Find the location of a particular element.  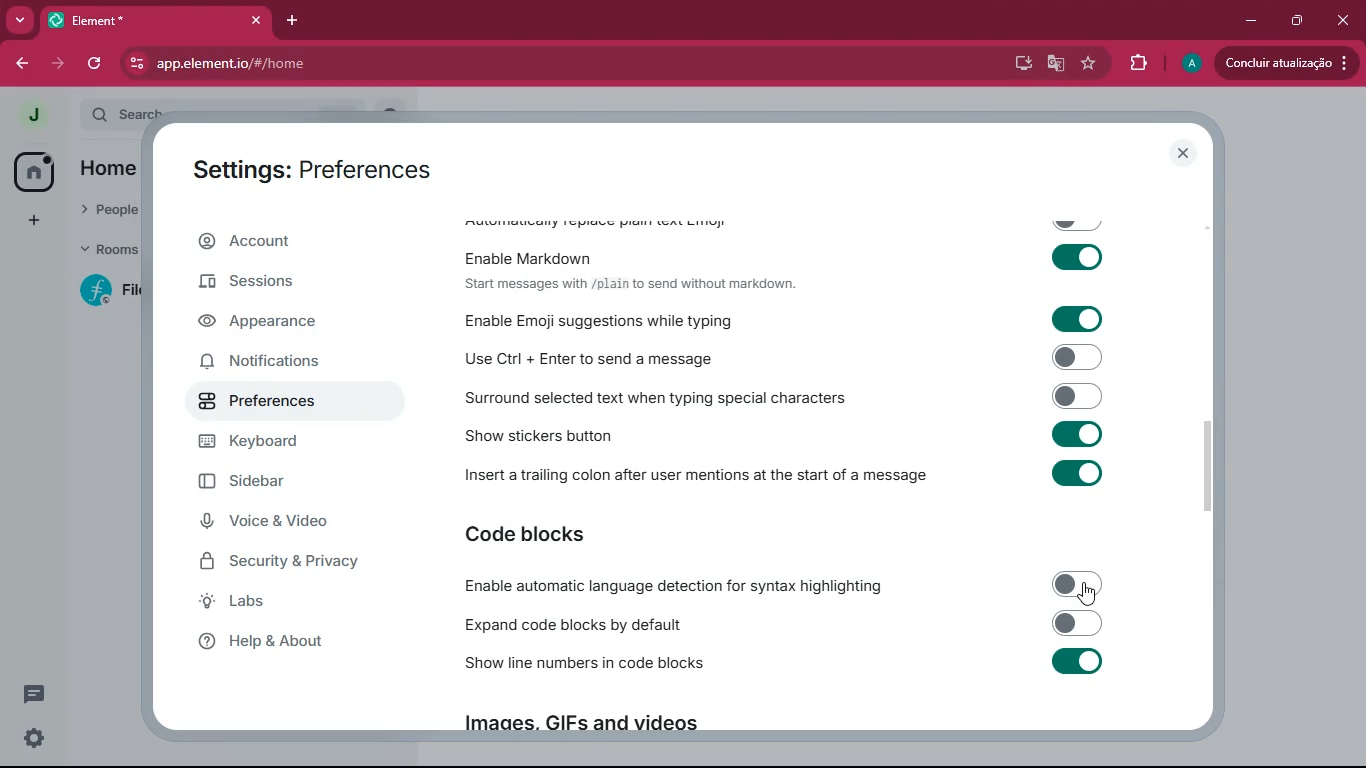

code blocks is located at coordinates (544, 535).